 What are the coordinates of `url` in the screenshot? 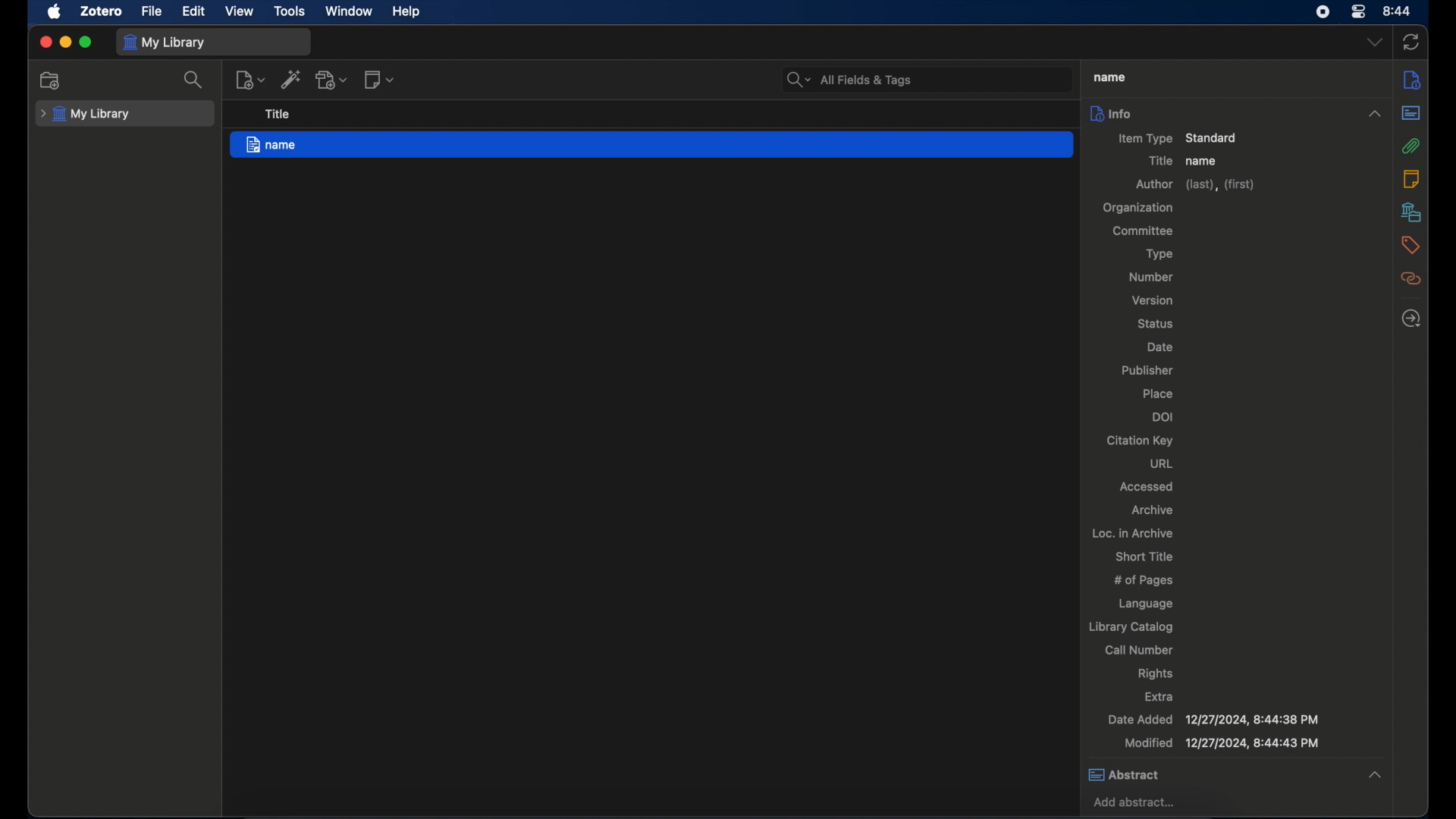 It's located at (1161, 463).